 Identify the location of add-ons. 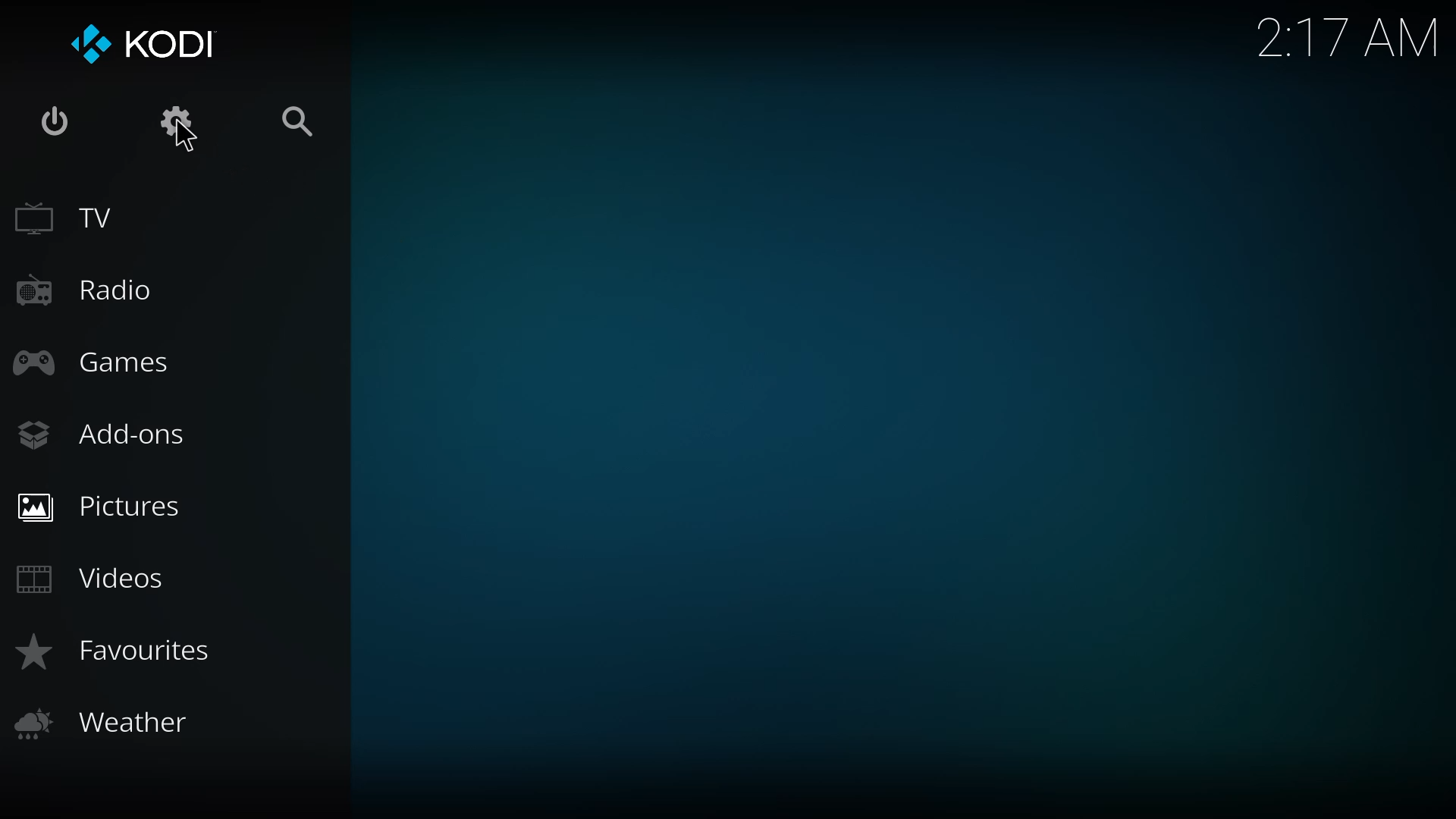
(106, 436).